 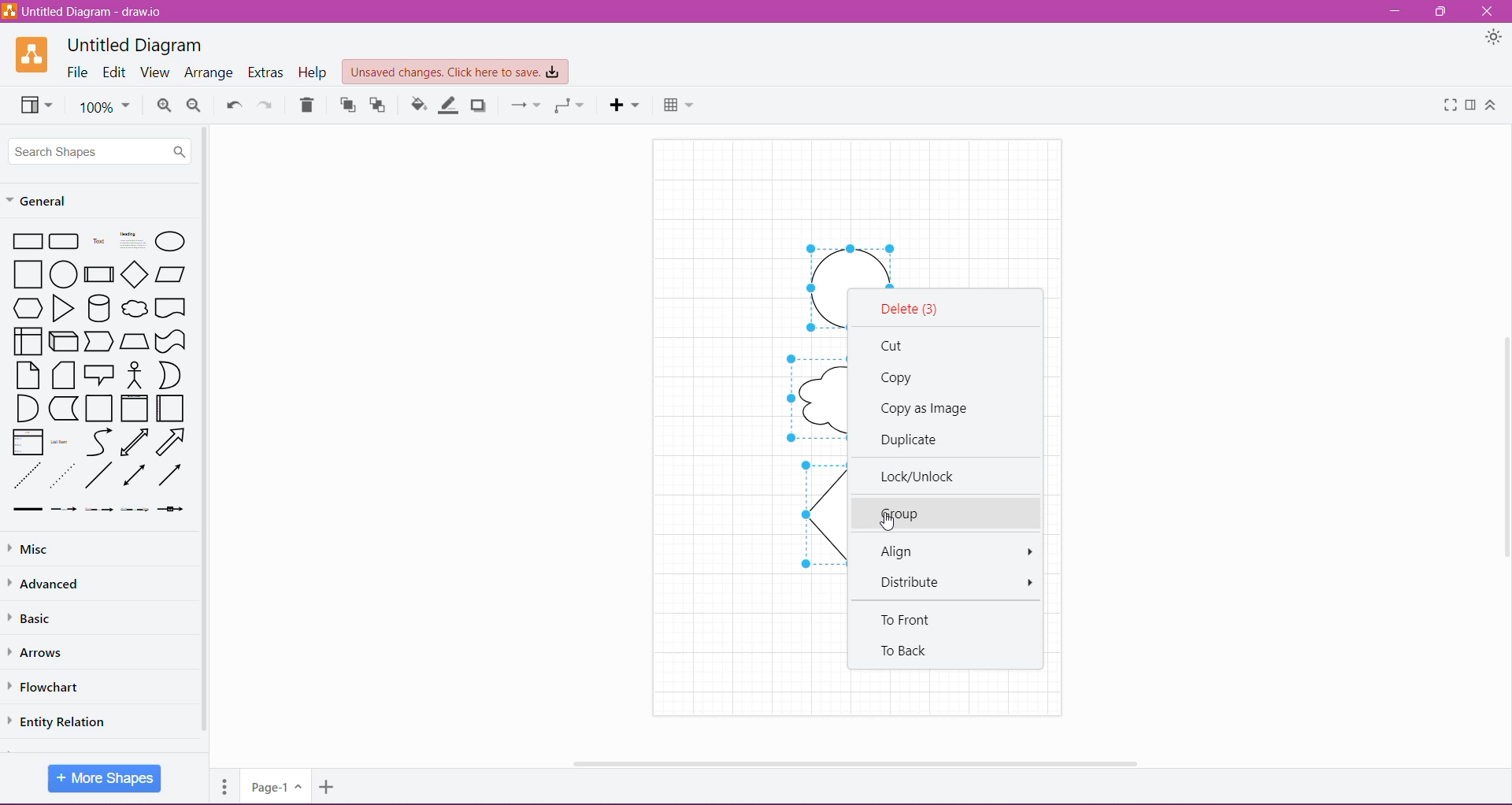 What do you see at coordinates (274, 785) in the screenshot?
I see `Page 1` at bounding box center [274, 785].